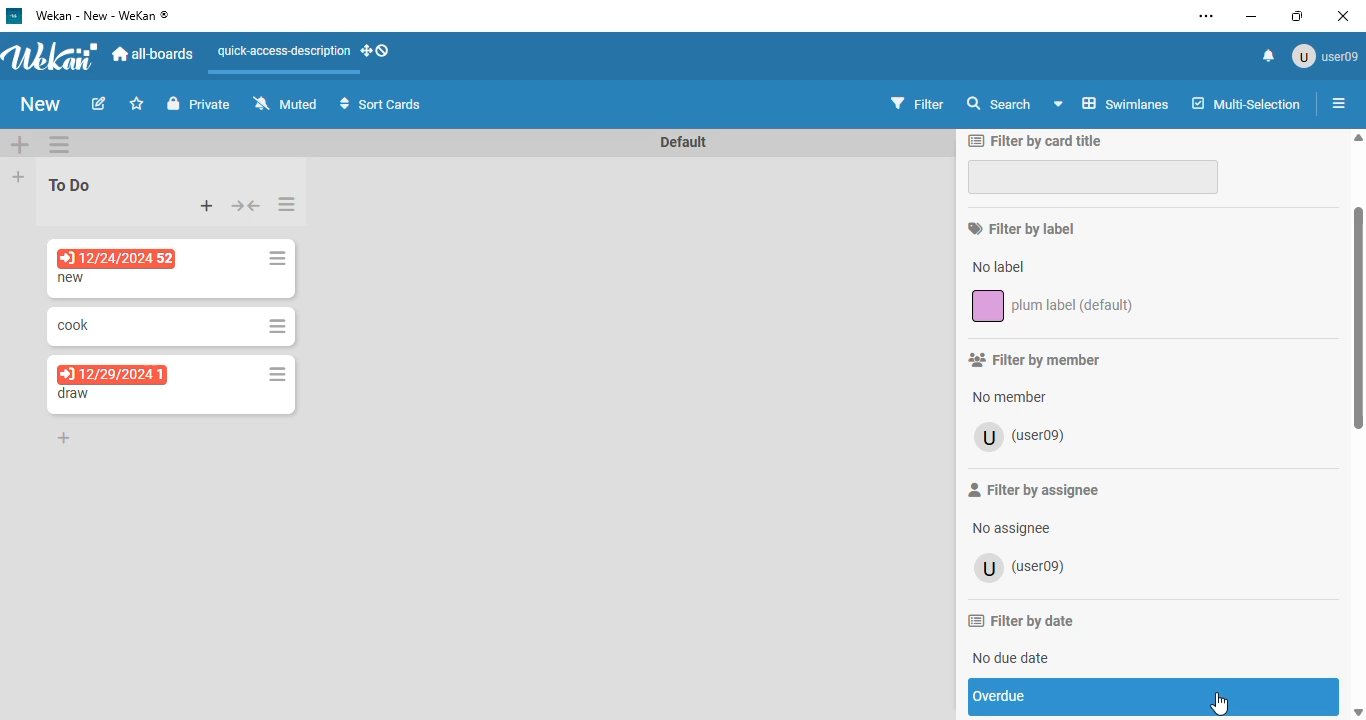 The height and width of the screenshot is (720, 1366). What do you see at coordinates (73, 394) in the screenshot?
I see `card name` at bounding box center [73, 394].